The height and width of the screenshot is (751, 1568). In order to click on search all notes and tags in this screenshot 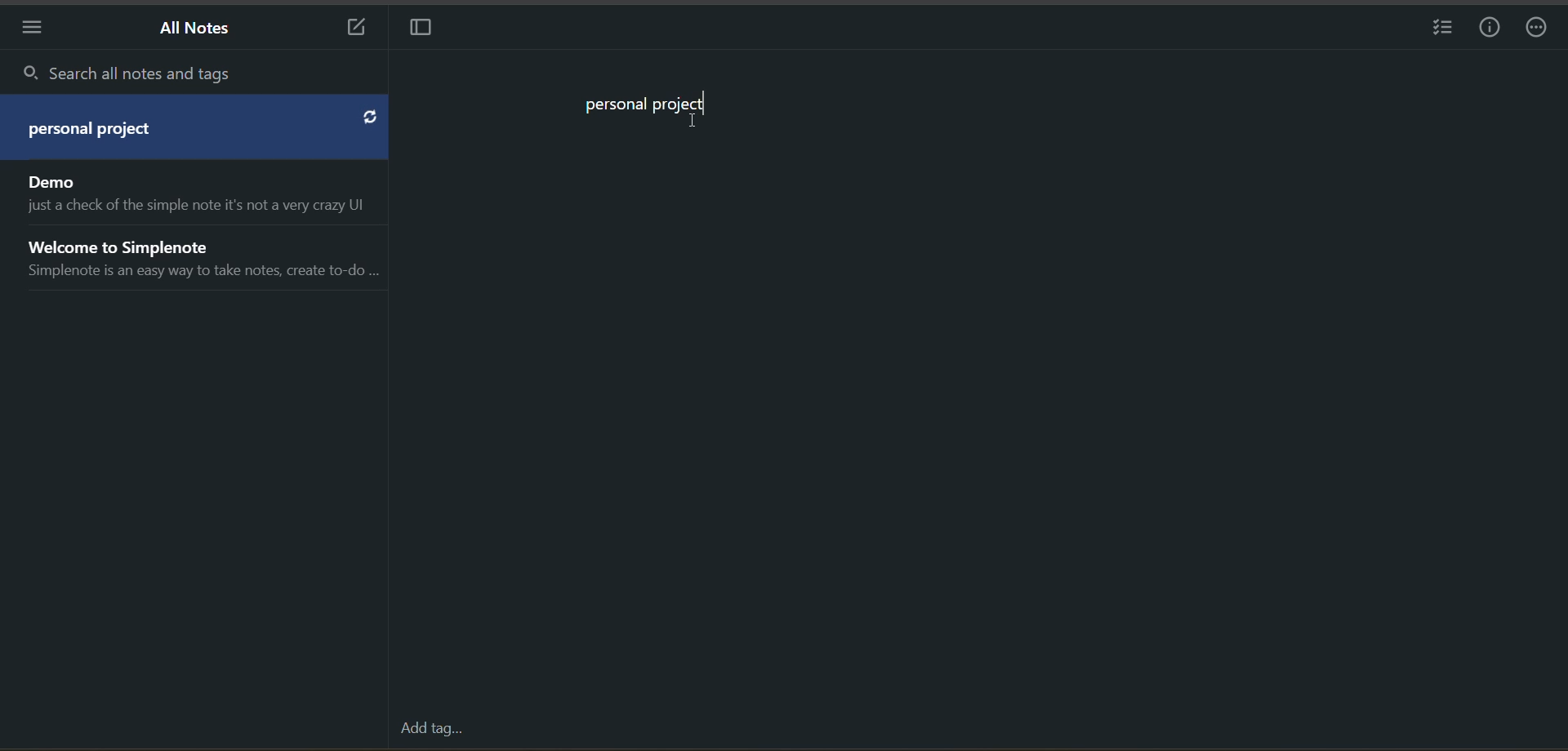, I will do `click(201, 74)`.